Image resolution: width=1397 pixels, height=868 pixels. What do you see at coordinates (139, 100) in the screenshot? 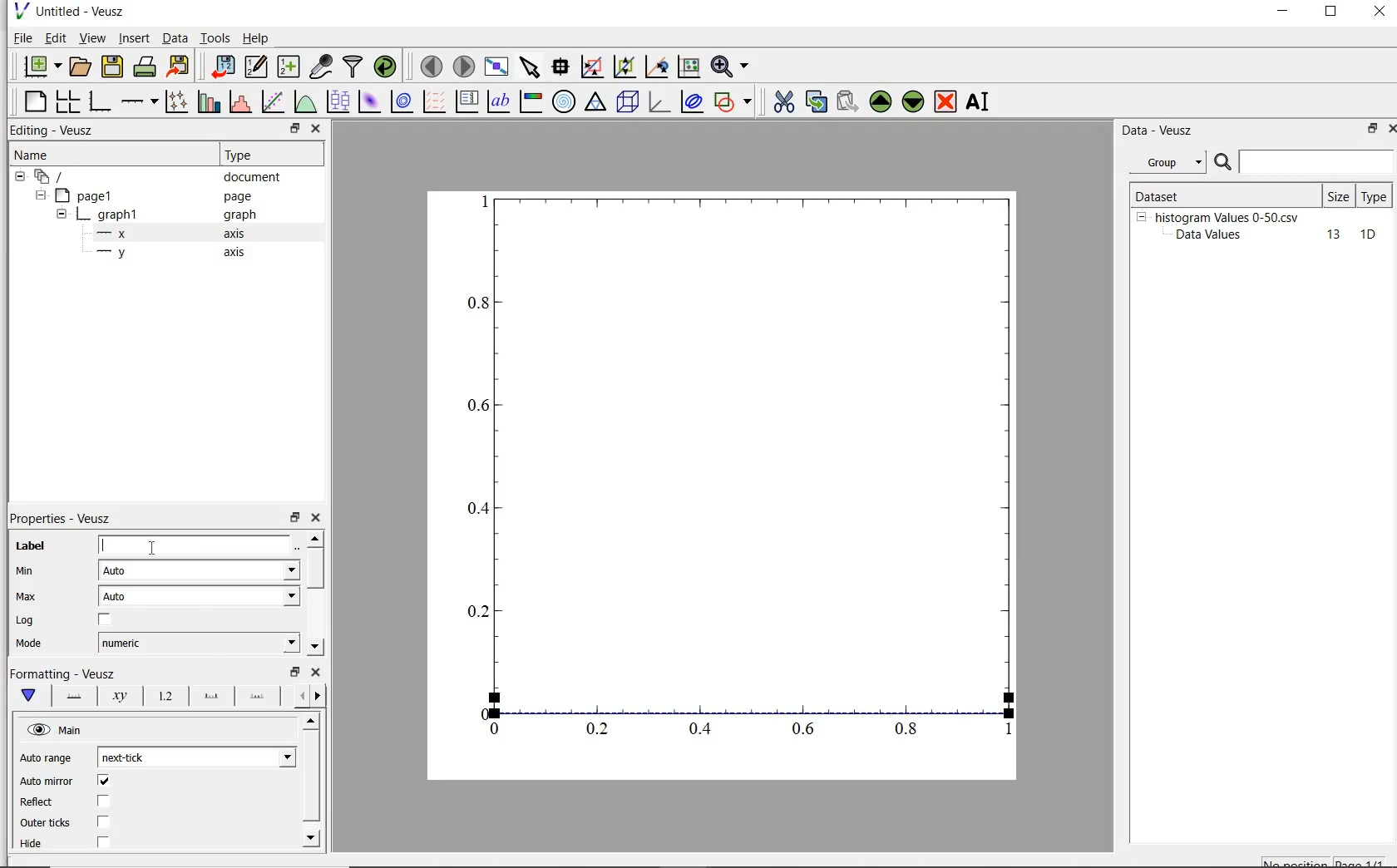
I see `add axis on the plot` at bounding box center [139, 100].